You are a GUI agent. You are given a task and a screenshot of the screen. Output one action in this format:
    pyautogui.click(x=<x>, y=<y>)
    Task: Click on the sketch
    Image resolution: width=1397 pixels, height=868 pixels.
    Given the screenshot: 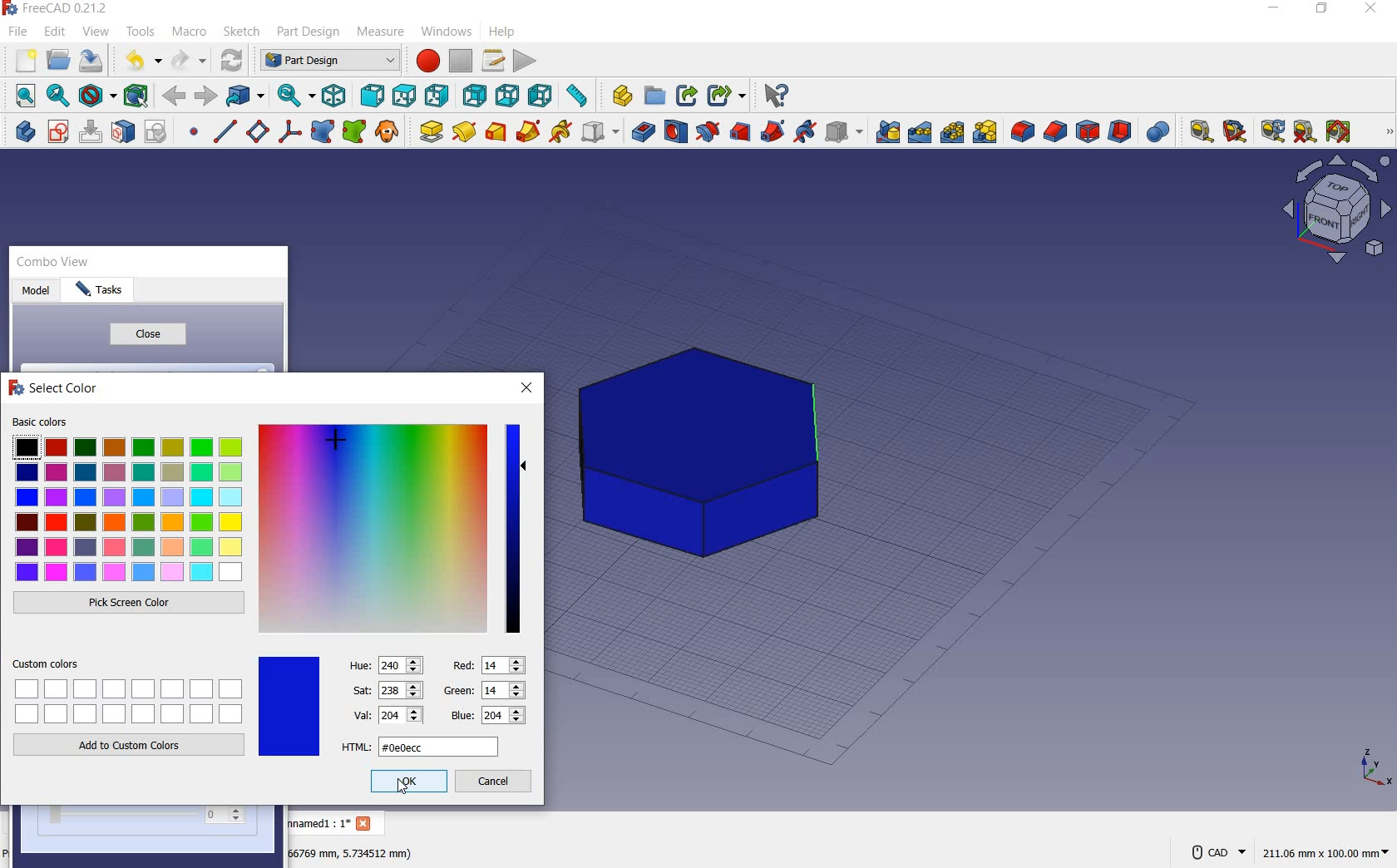 What is the action you would take?
    pyautogui.click(x=240, y=32)
    